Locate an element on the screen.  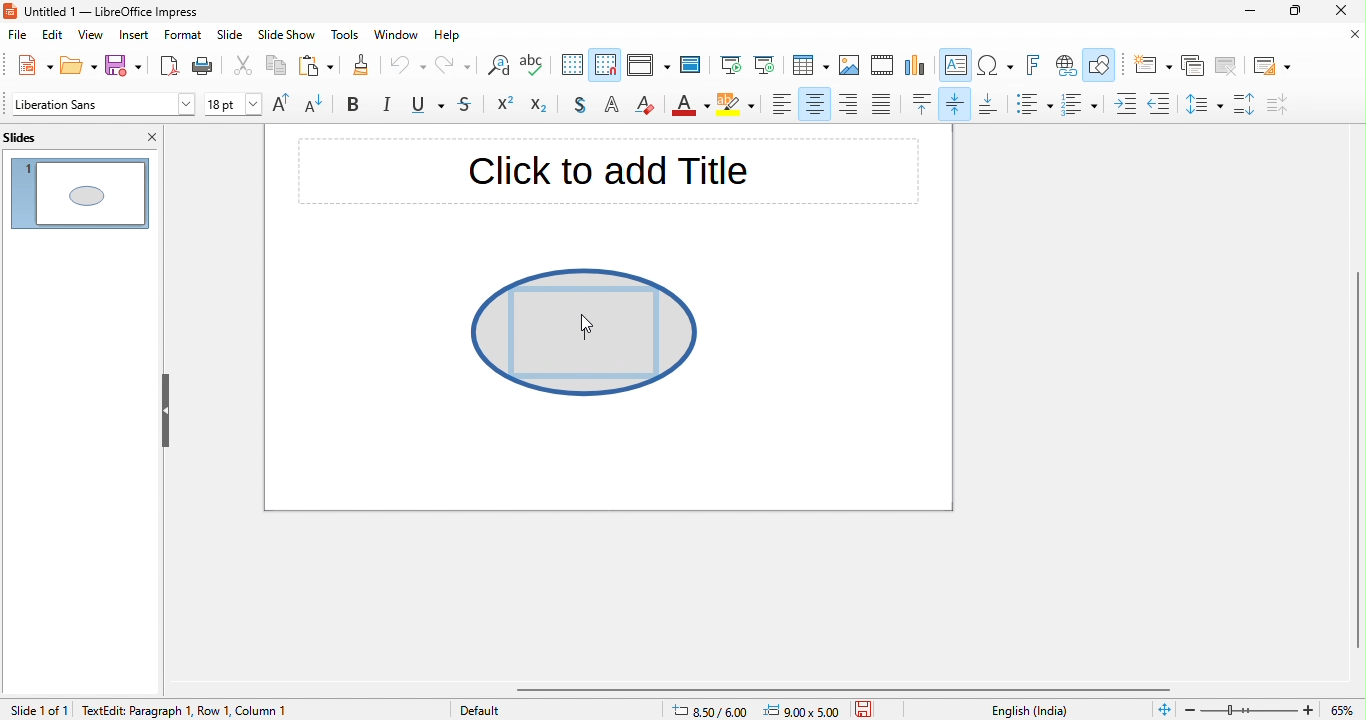
zoom is located at coordinates (1273, 708).